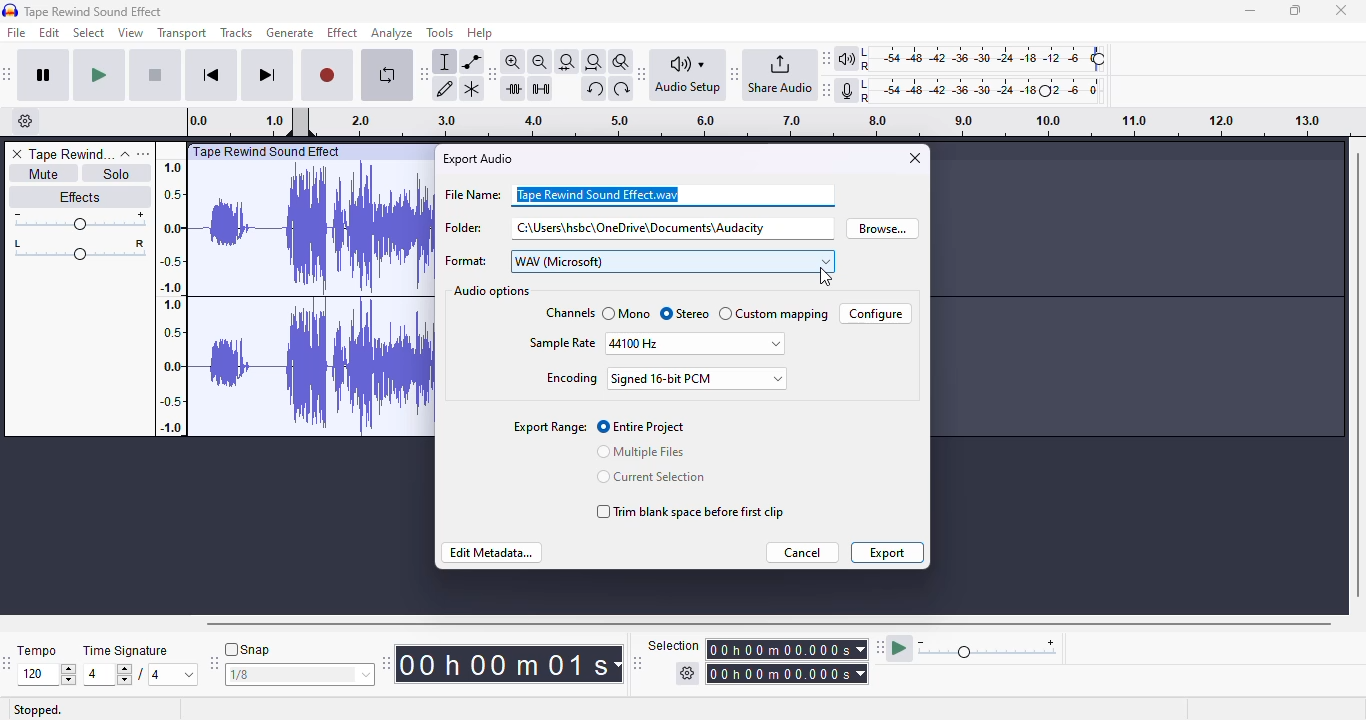 This screenshot has width=1366, height=720. What do you see at coordinates (328, 77) in the screenshot?
I see `record` at bounding box center [328, 77].